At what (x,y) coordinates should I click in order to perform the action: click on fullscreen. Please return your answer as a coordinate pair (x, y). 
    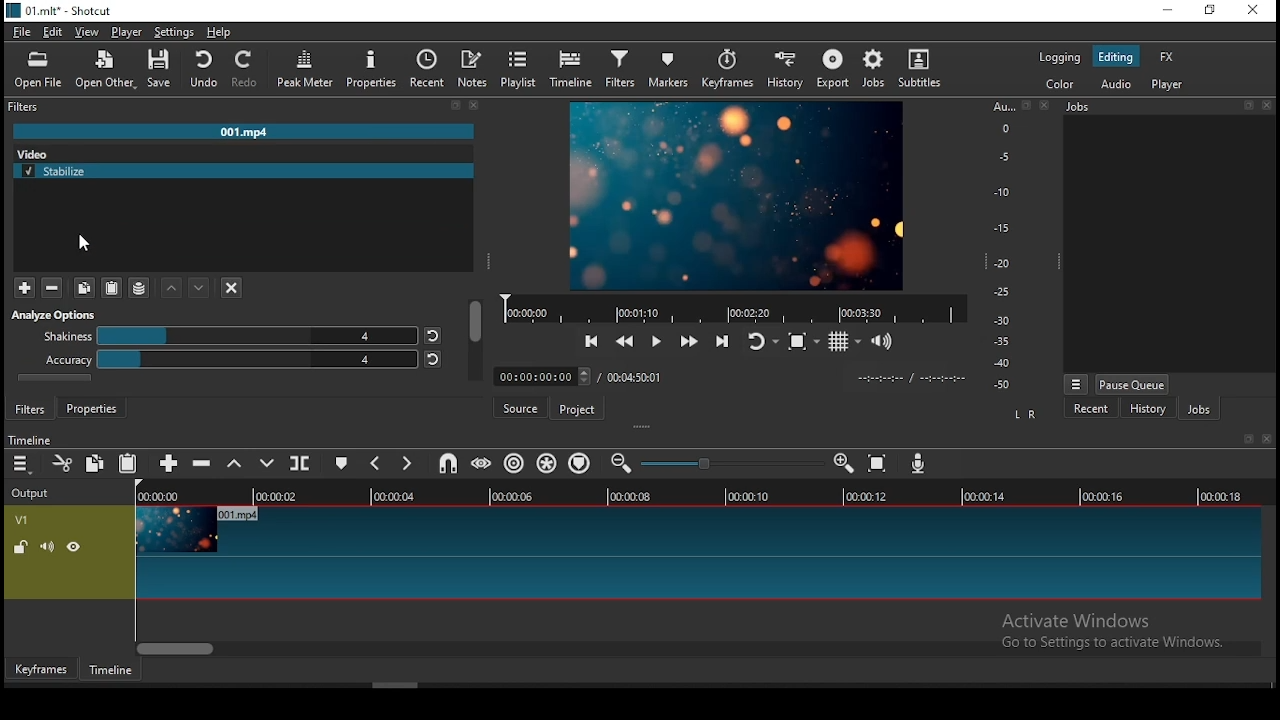
    Looking at the image, I should click on (1248, 439).